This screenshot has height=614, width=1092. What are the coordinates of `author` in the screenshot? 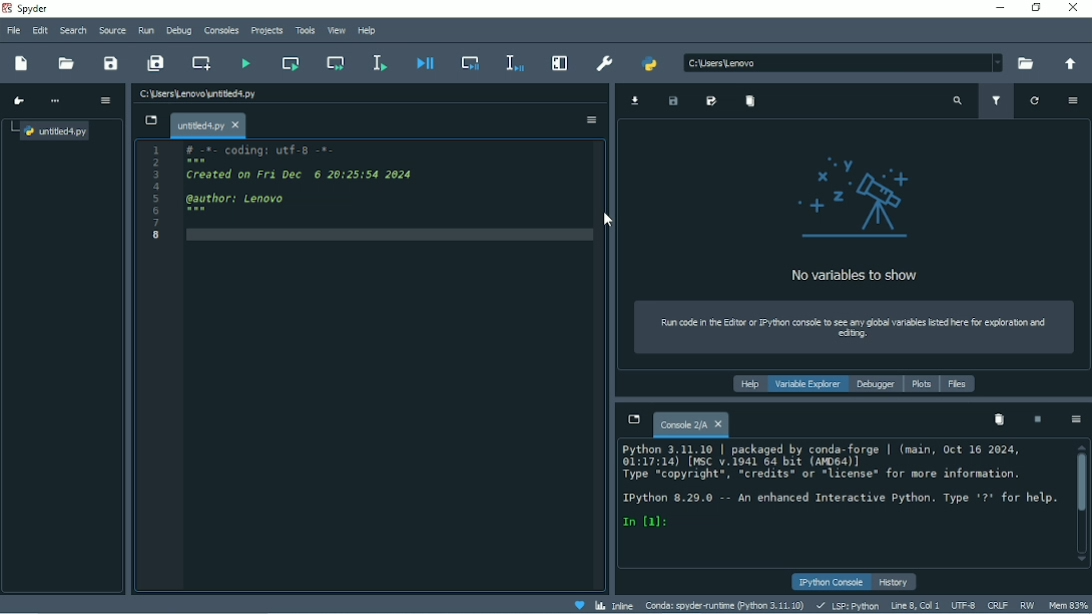 It's located at (237, 200).